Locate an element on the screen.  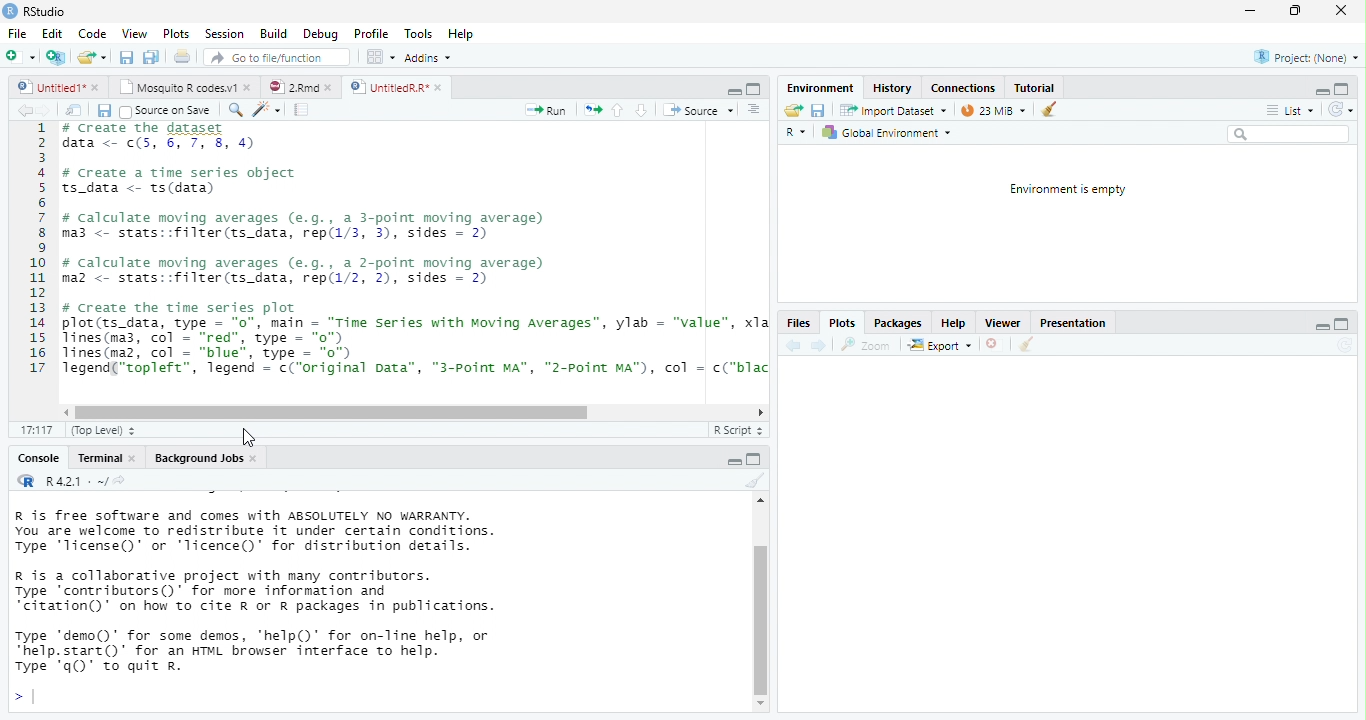
close is located at coordinates (256, 459).